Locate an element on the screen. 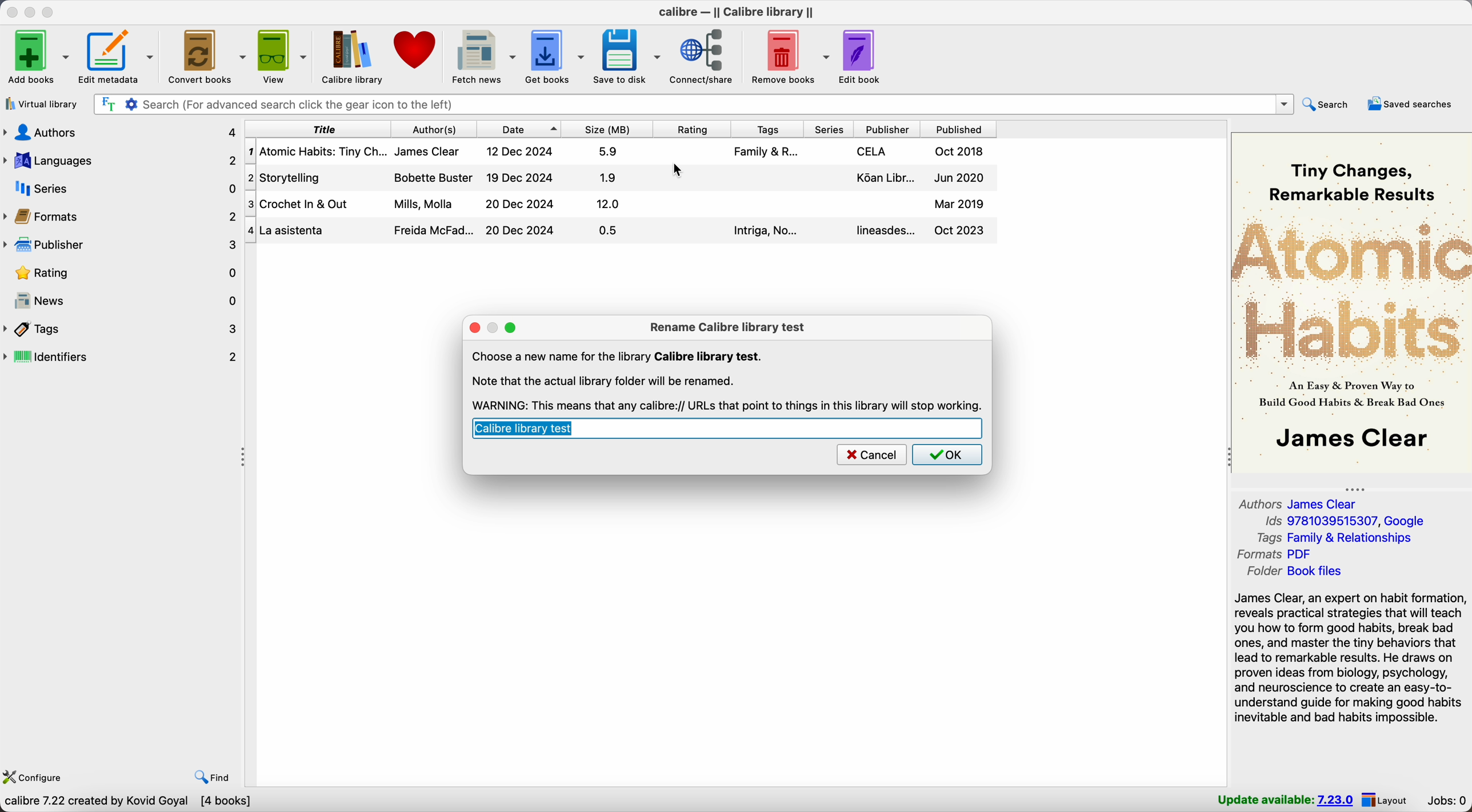 This screenshot has height=812, width=1472. fetch news is located at coordinates (483, 56).